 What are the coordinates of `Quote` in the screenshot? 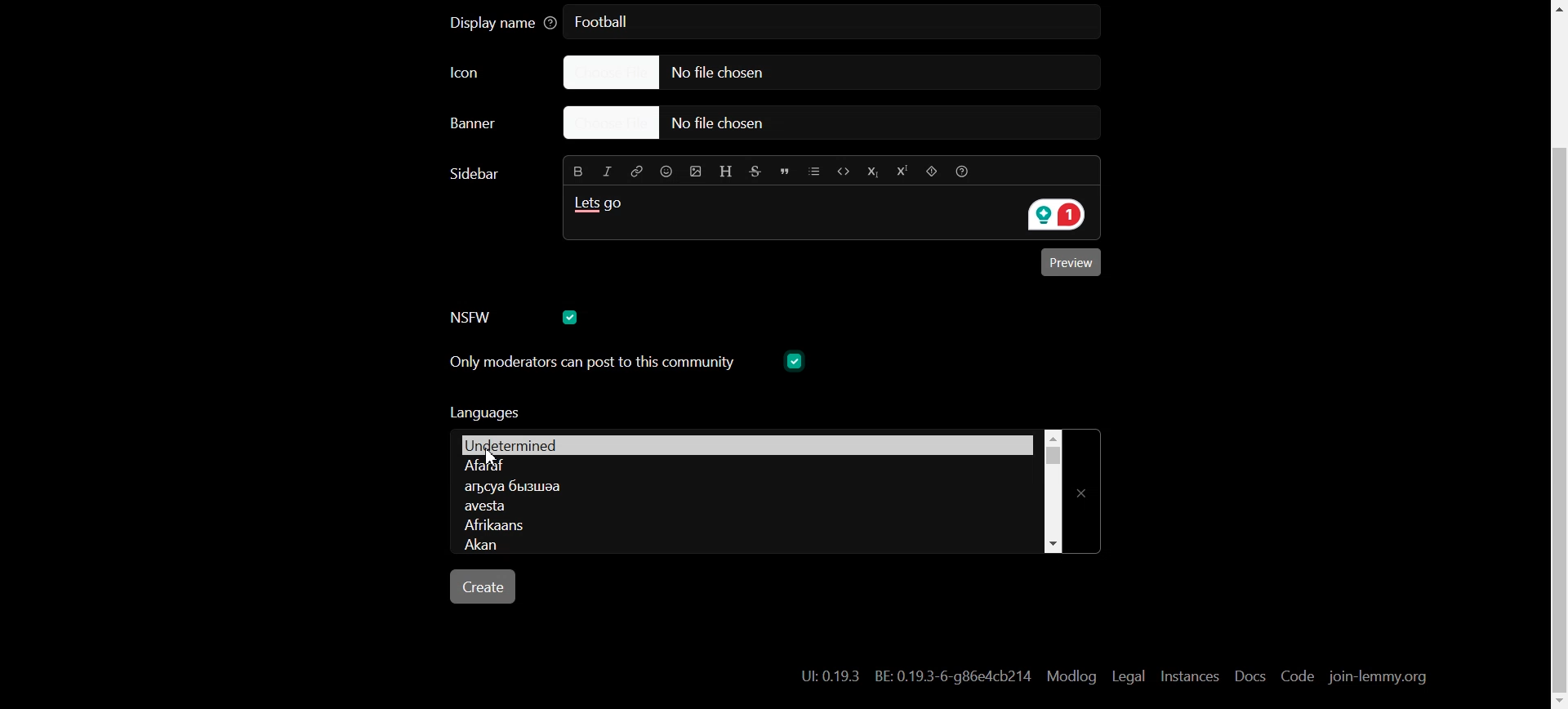 It's located at (786, 170).